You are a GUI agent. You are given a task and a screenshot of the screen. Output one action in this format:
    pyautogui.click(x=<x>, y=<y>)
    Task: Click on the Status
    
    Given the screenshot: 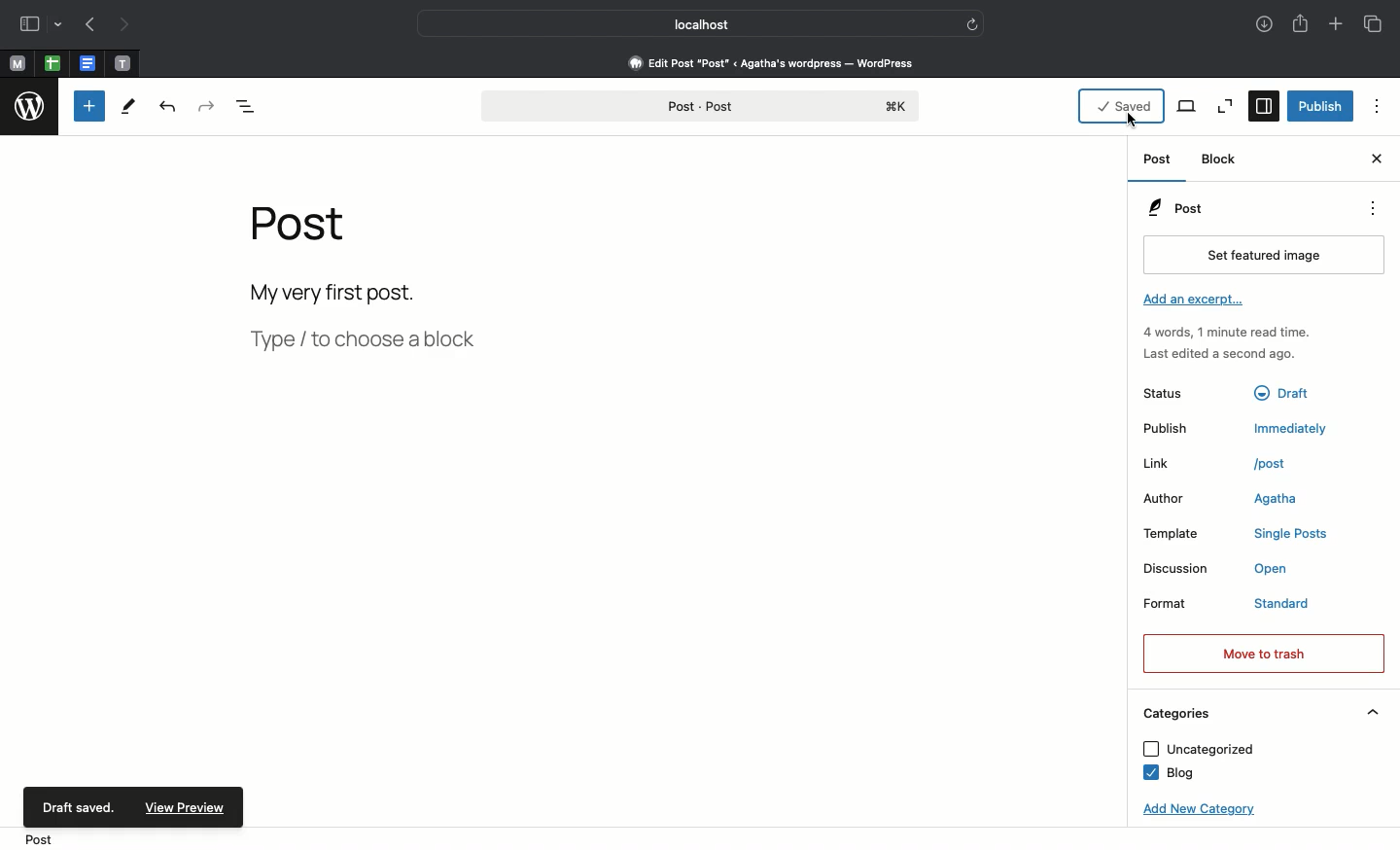 What is the action you would take?
    pyautogui.click(x=1179, y=392)
    